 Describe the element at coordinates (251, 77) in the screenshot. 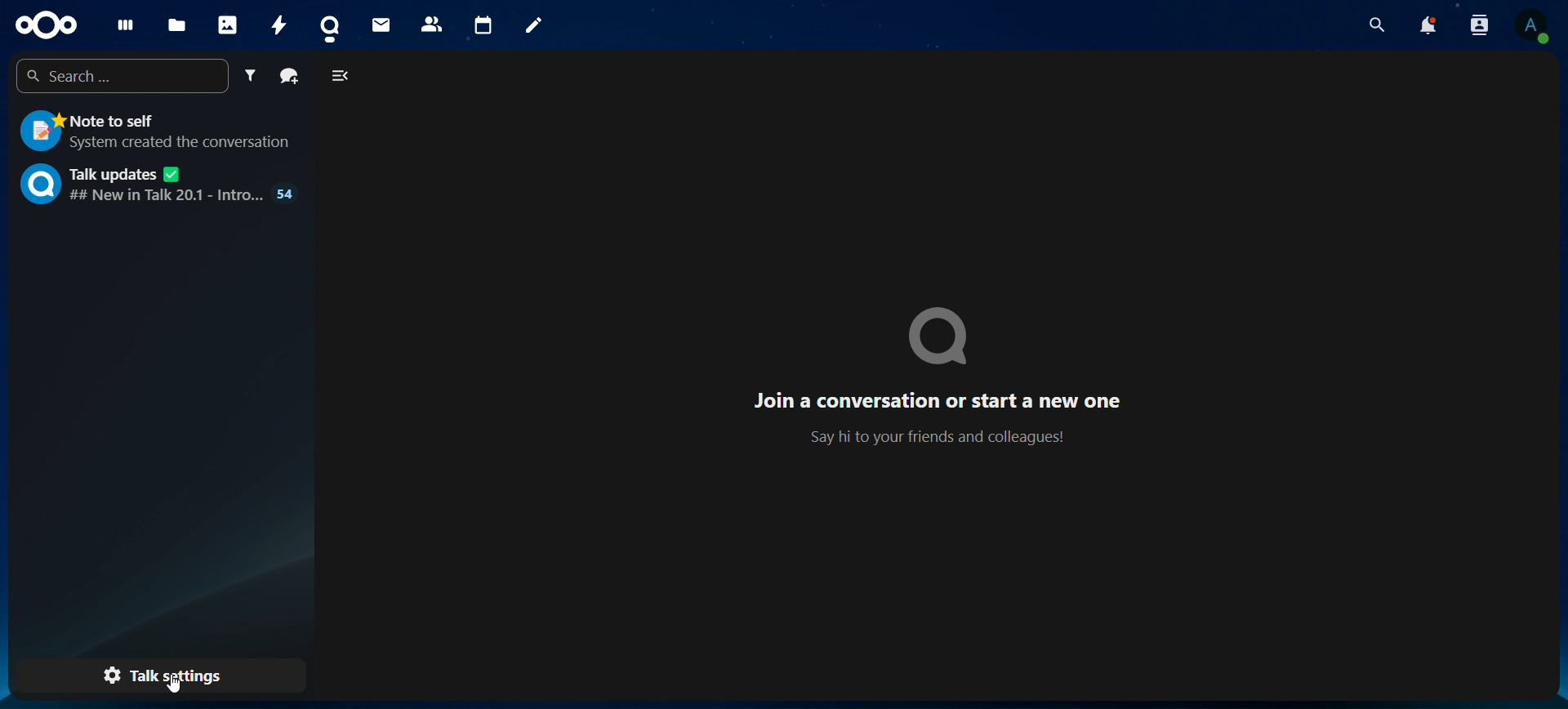

I see `filter` at that location.